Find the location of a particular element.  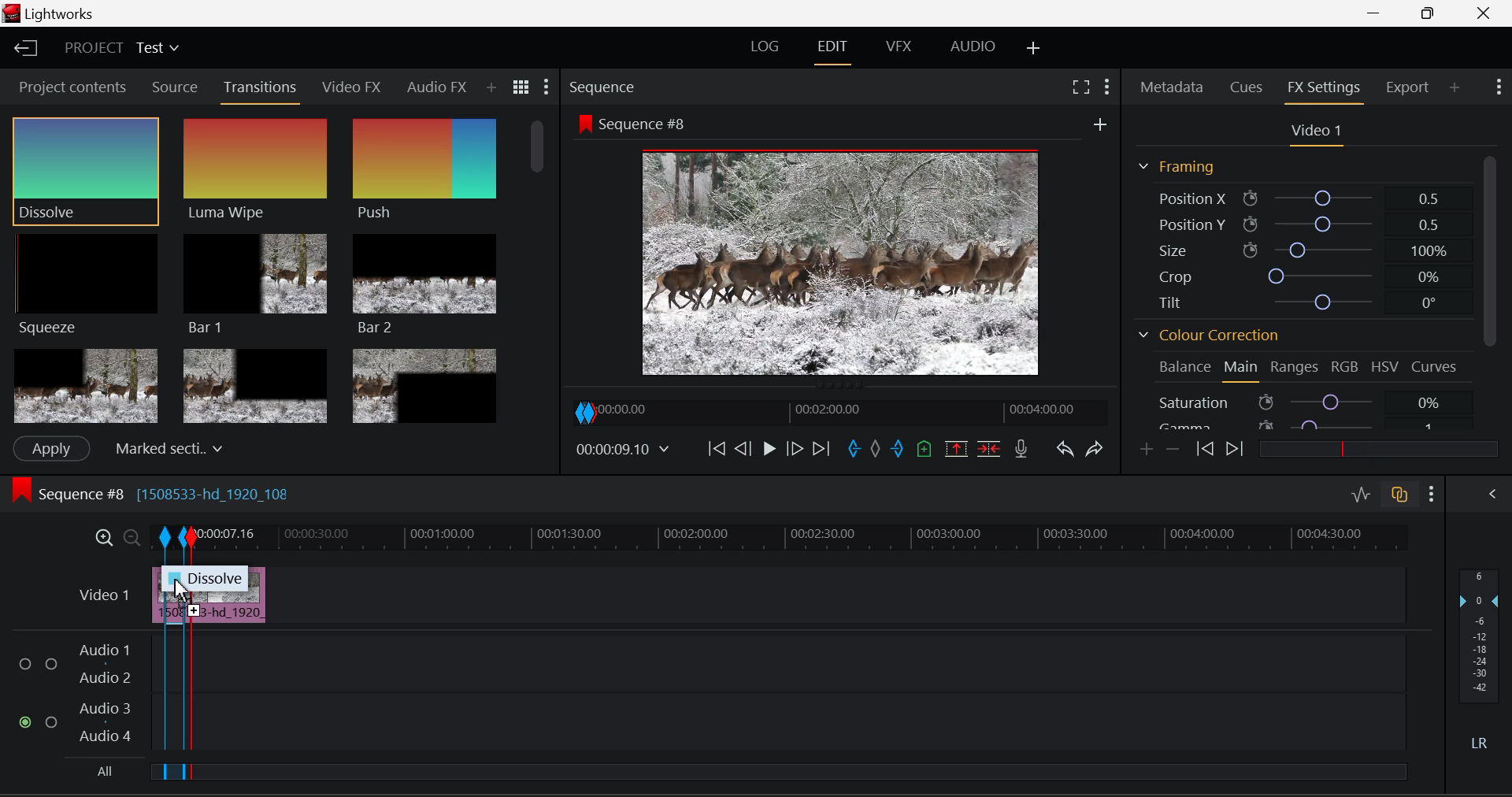

Remove all marks is located at coordinates (875, 451).